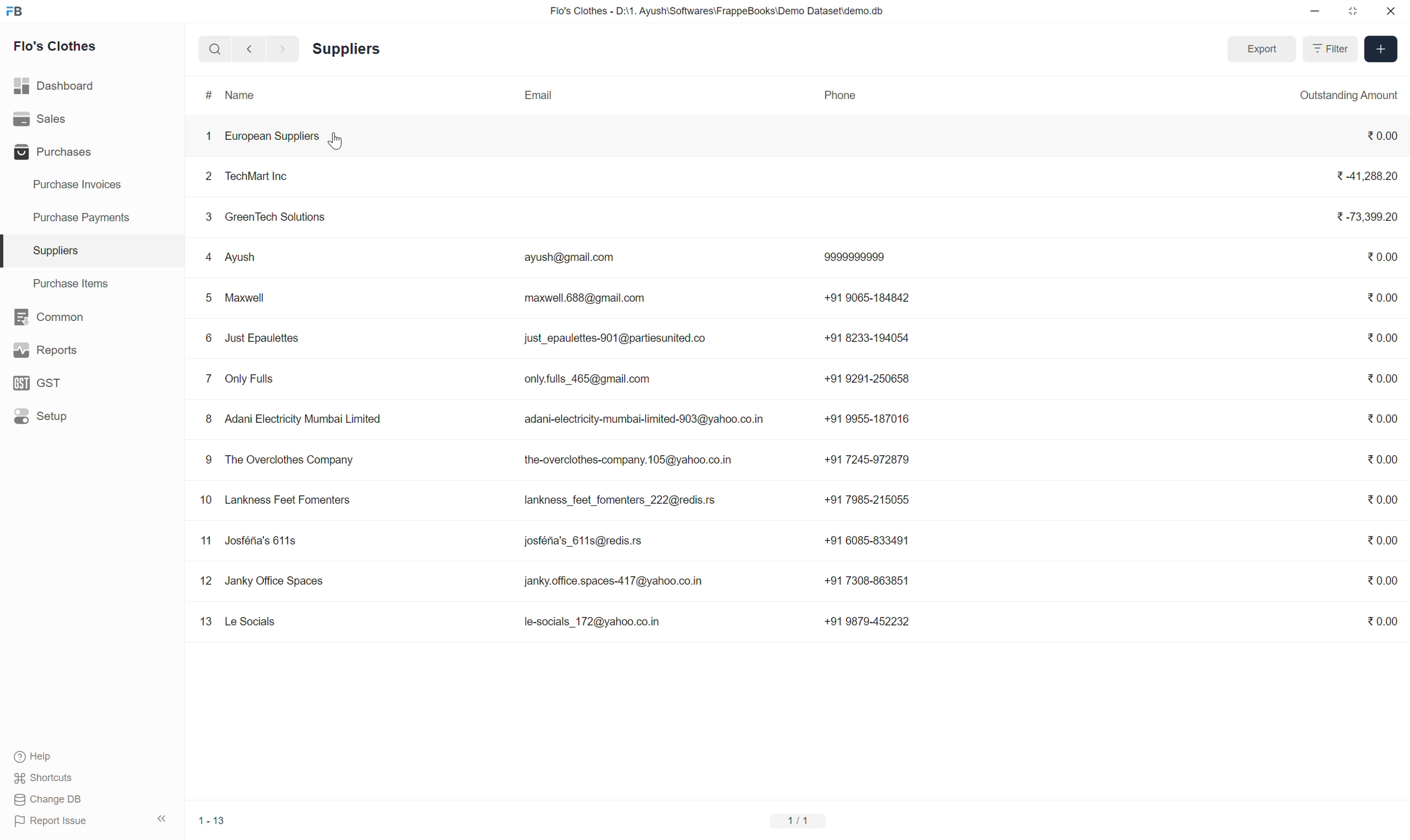 Image resolution: width=1410 pixels, height=840 pixels. I want to click on Le Socials, so click(255, 622).